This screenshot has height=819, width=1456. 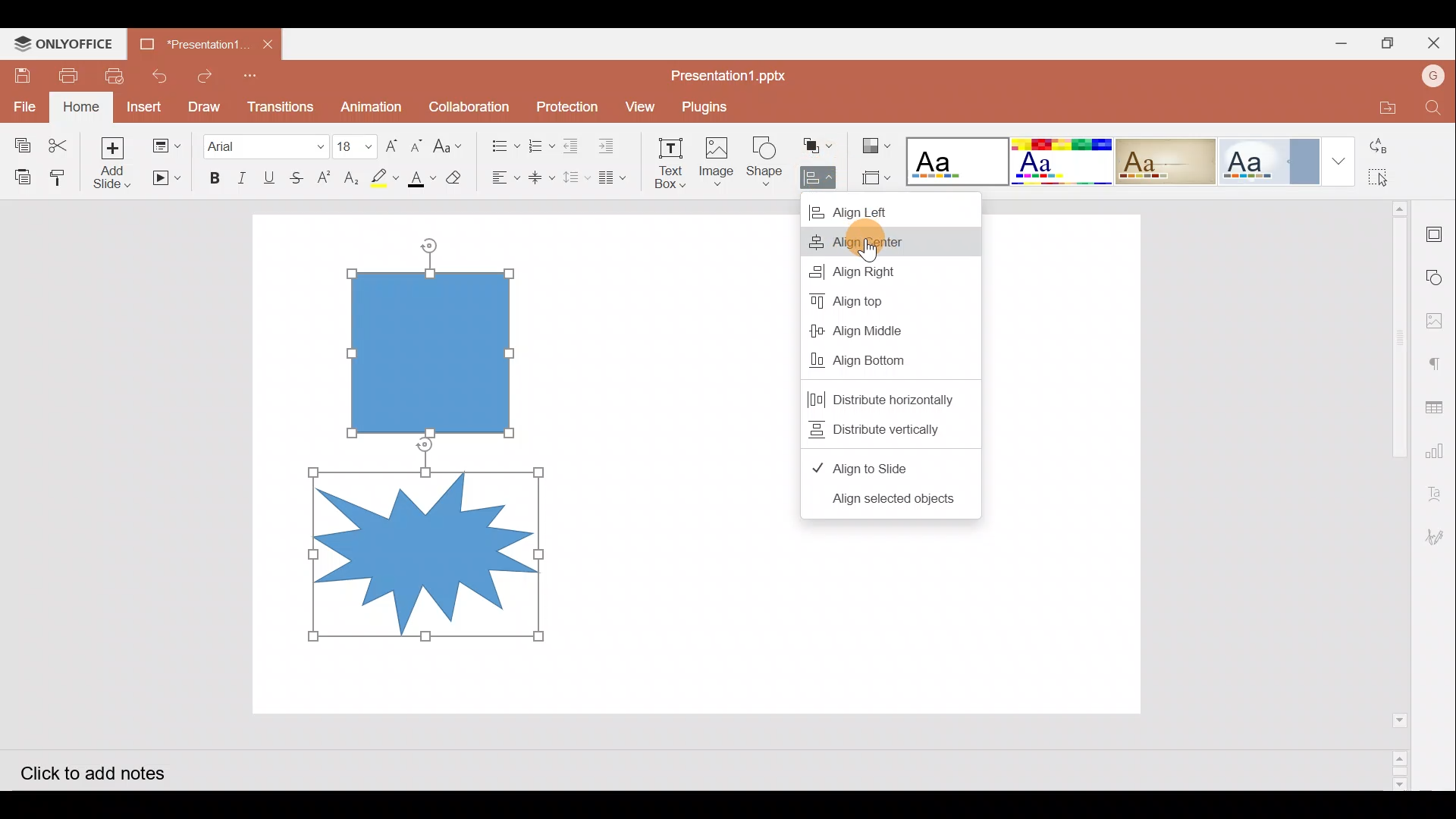 What do you see at coordinates (1060, 162) in the screenshot?
I see `Basic` at bounding box center [1060, 162].